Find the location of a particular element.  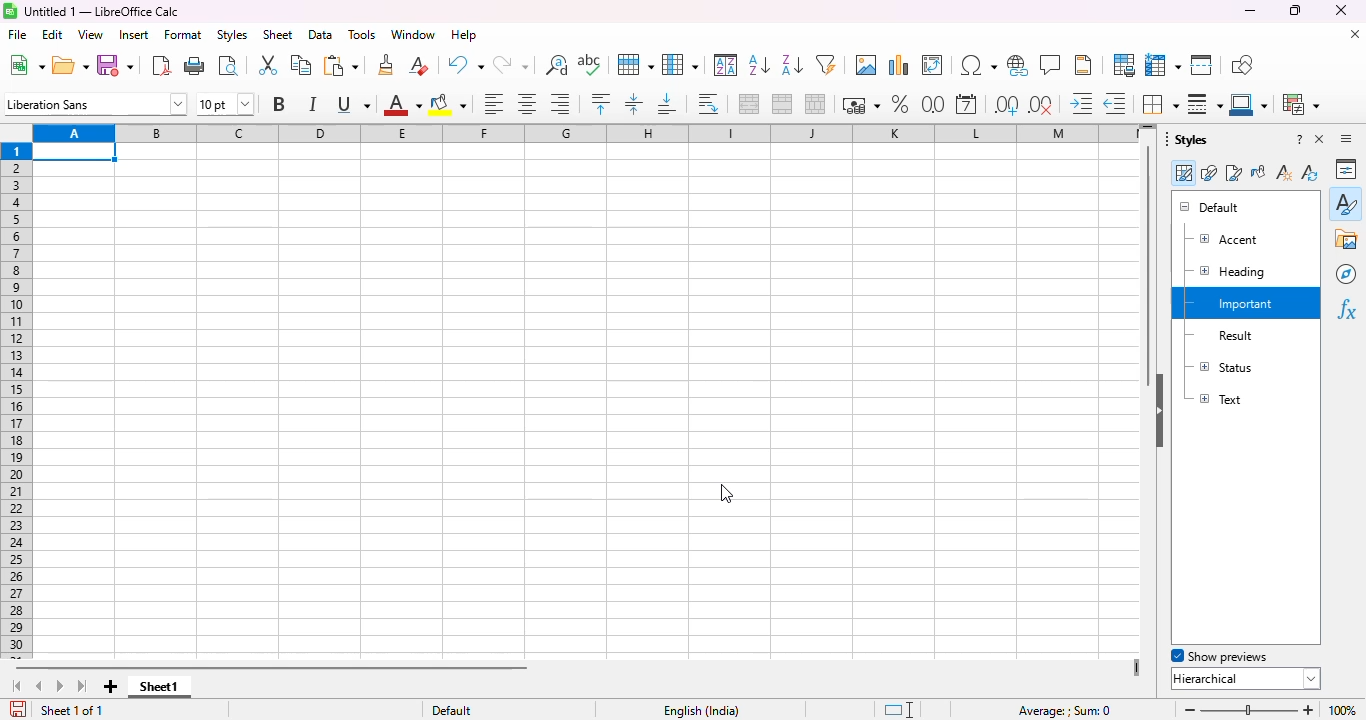

align center is located at coordinates (527, 104).